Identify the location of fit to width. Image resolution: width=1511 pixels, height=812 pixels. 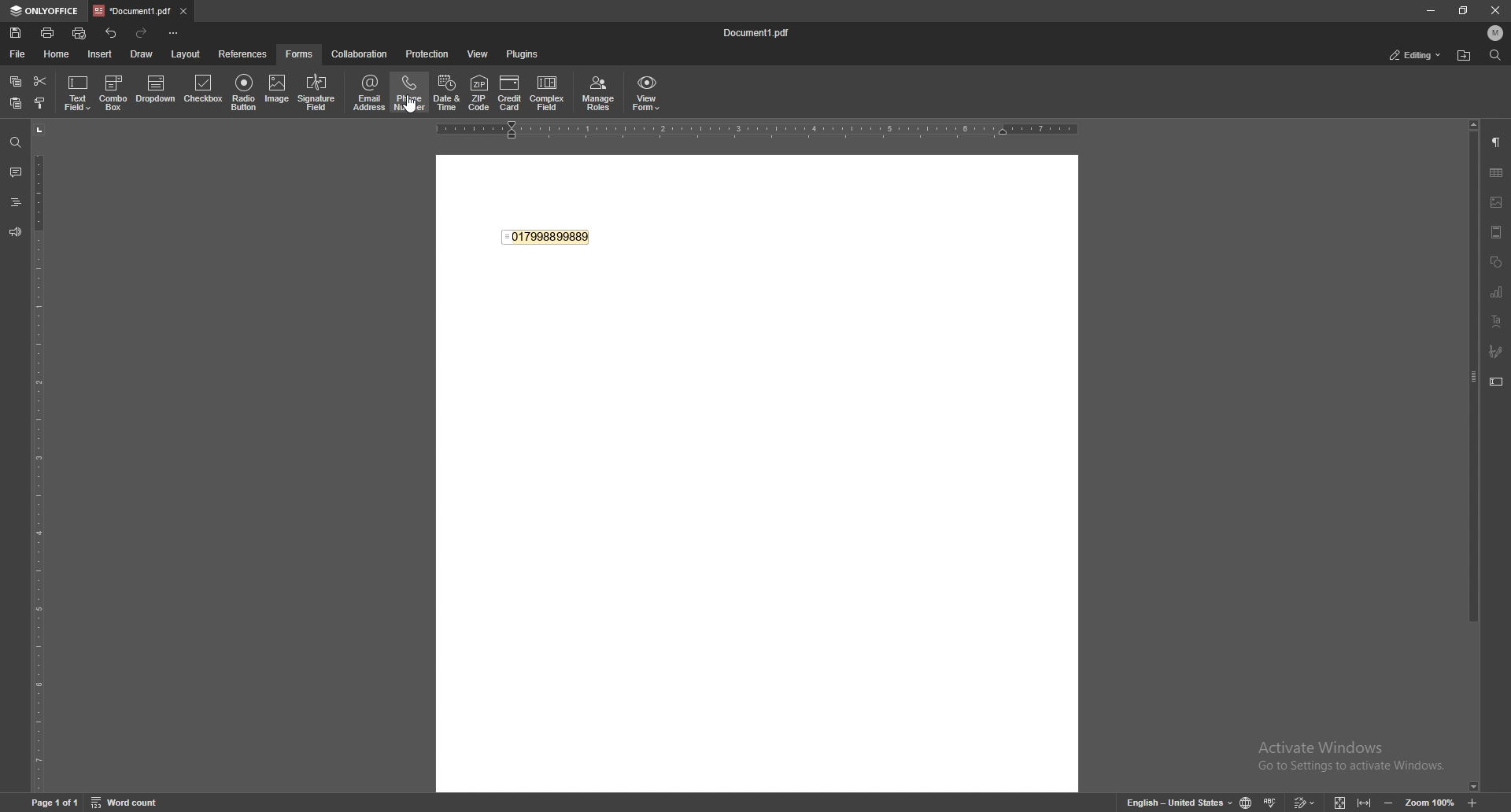
(1366, 803).